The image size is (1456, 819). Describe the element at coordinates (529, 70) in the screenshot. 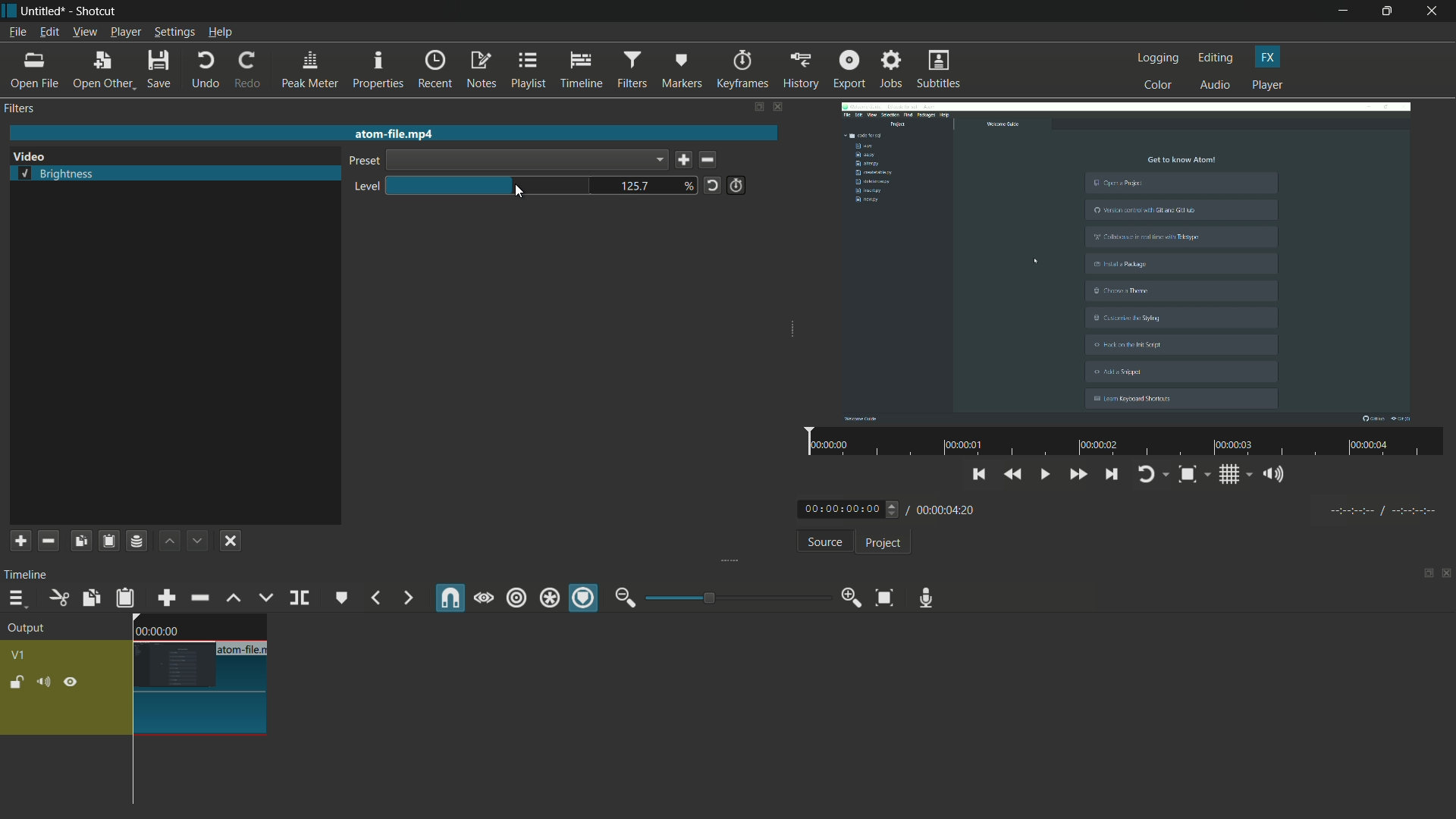

I see `playlist` at that location.